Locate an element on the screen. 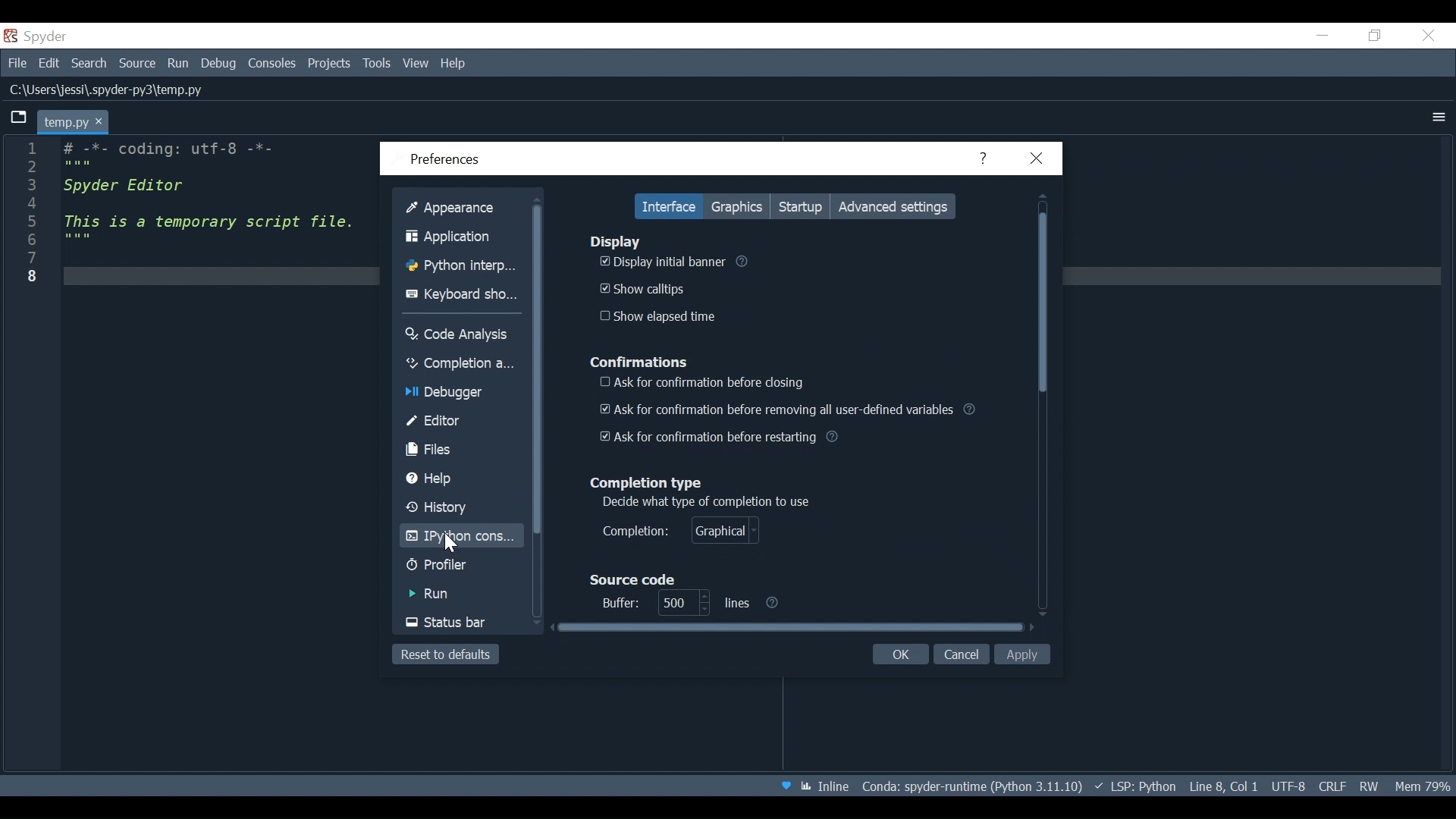 This screenshot has width=1456, height=819. Keyboard Shortcut is located at coordinates (461, 293).